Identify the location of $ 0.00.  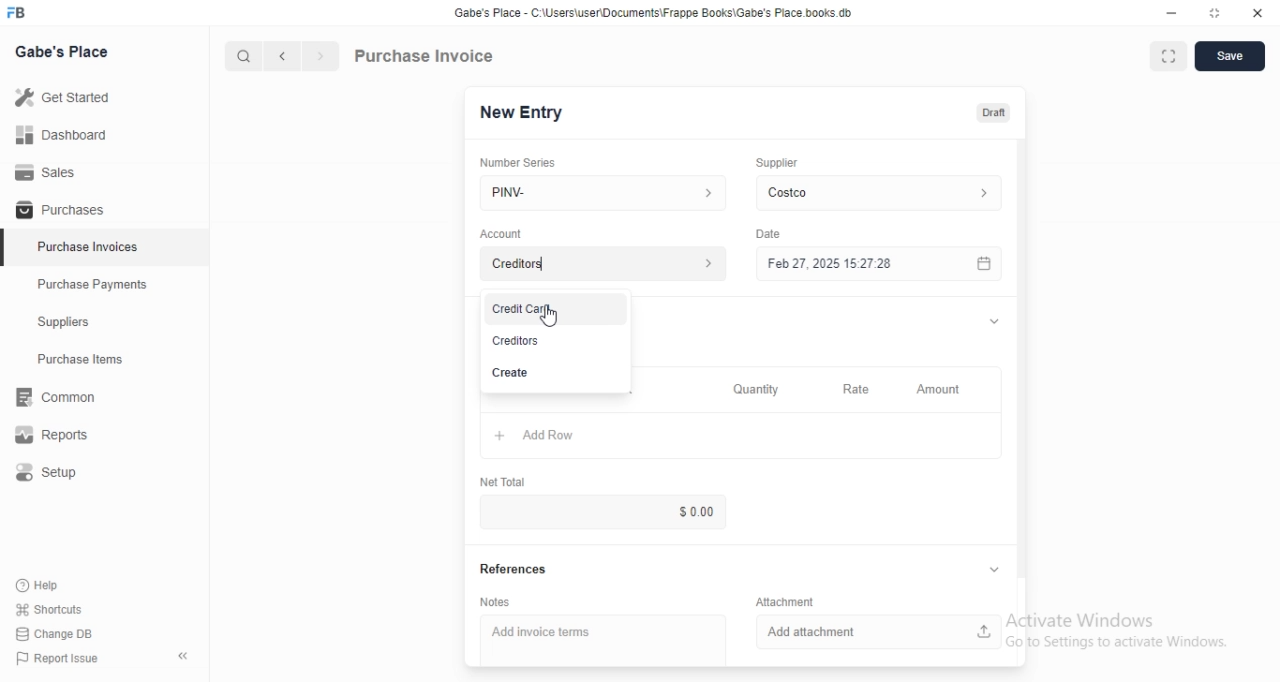
(602, 512).